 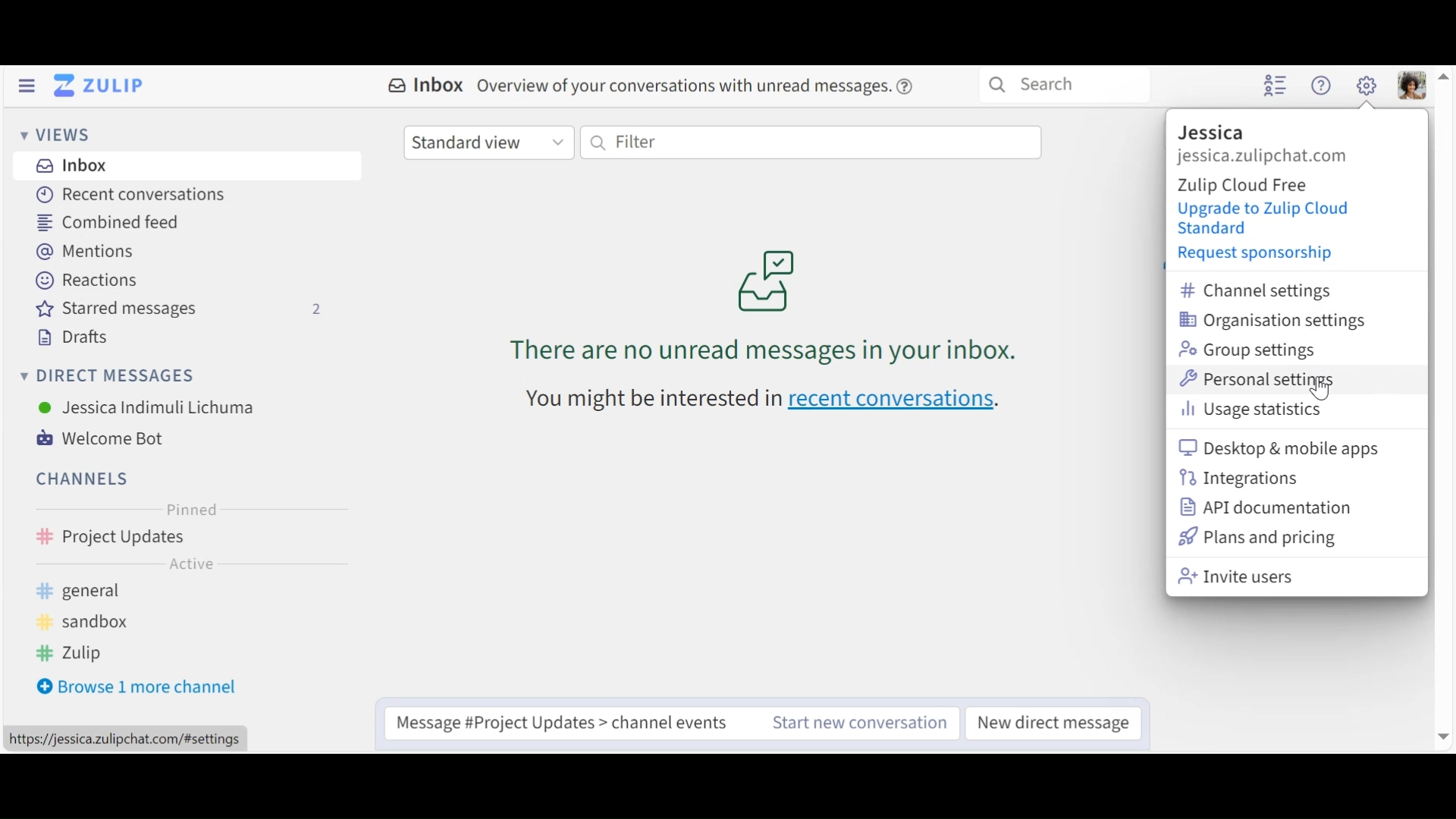 I want to click on Channels, so click(x=179, y=540).